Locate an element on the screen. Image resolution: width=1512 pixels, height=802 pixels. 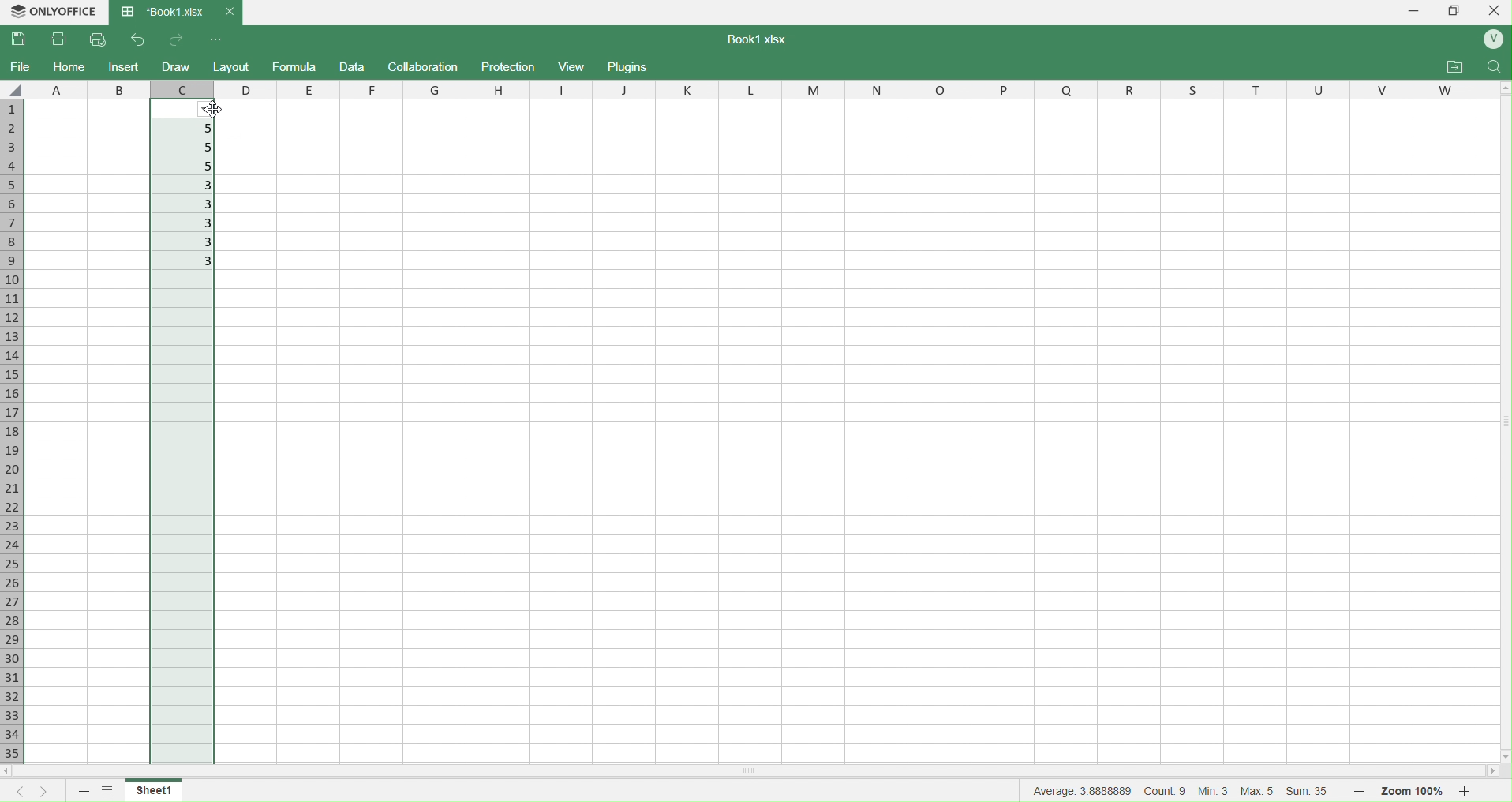
Print File is located at coordinates (61, 40).